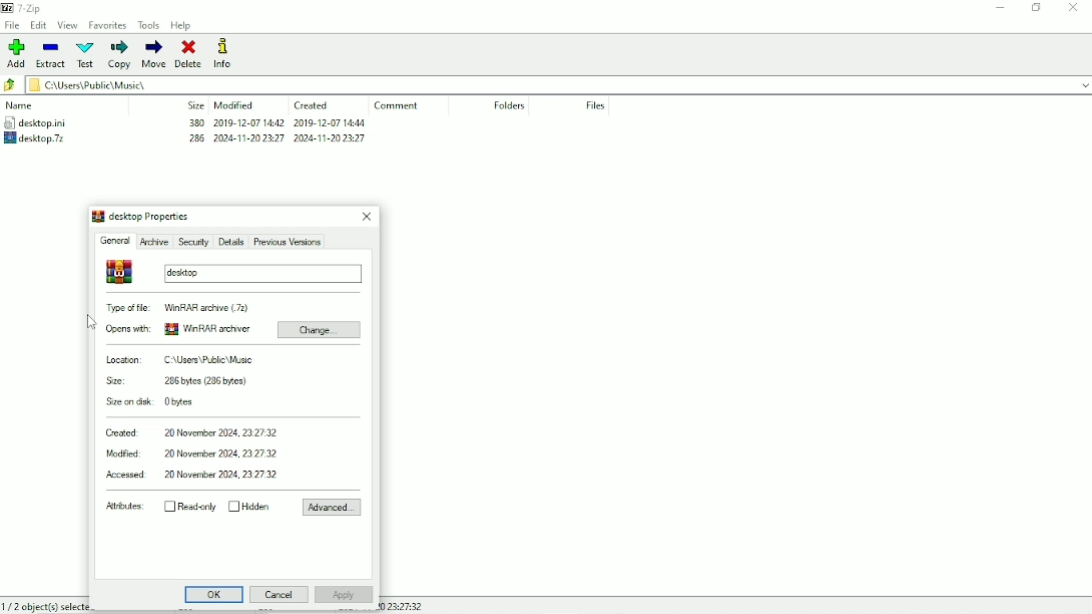  What do you see at coordinates (250, 506) in the screenshot?
I see `Hidden` at bounding box center [250, 506].